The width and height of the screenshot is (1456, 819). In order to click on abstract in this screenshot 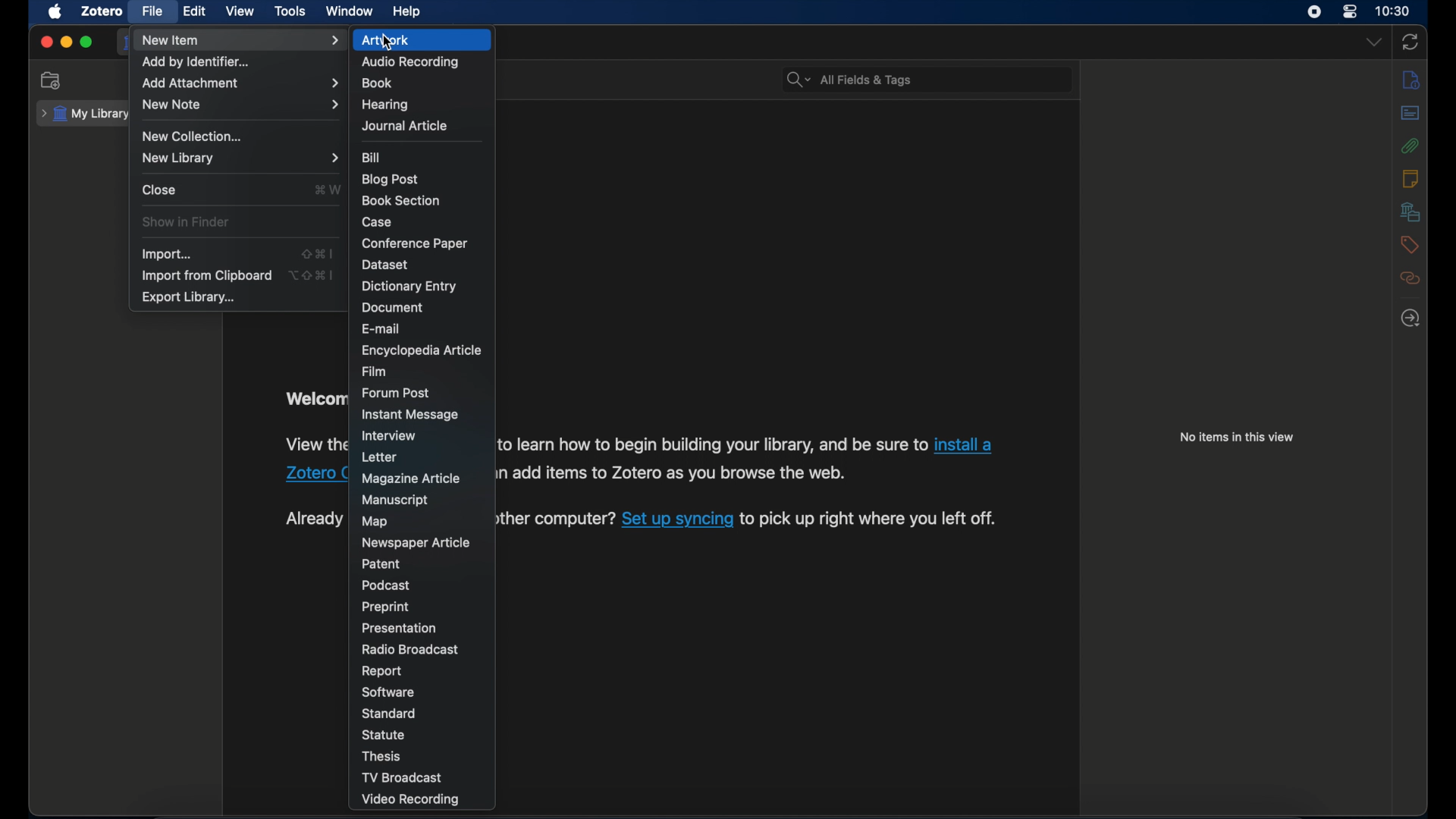, I will do `click(1410, 113)`.